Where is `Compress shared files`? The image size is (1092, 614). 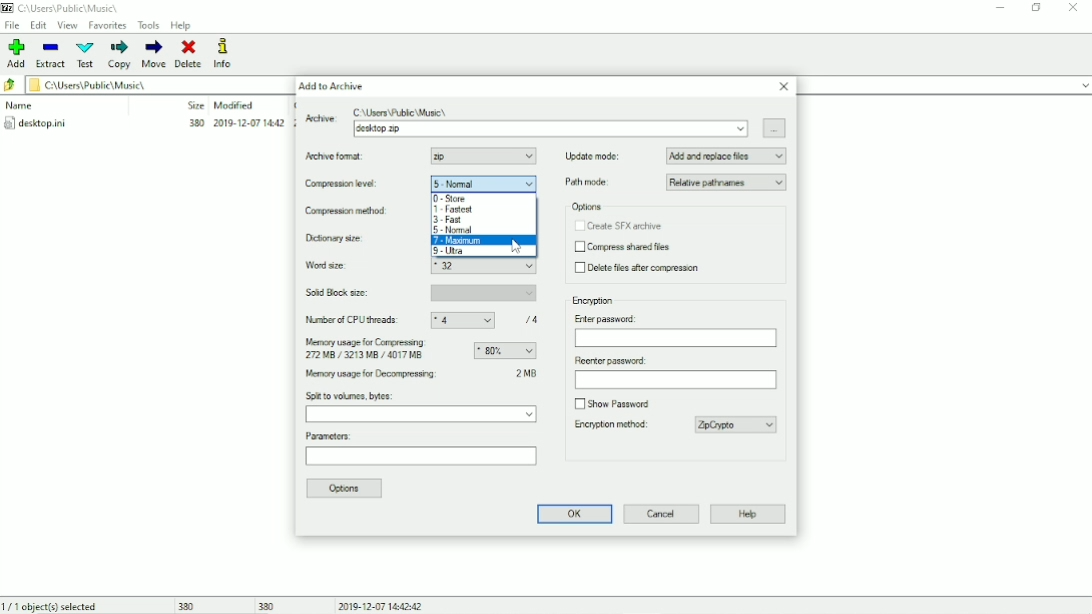
Compress shared files is located at coordinates (624, 248).